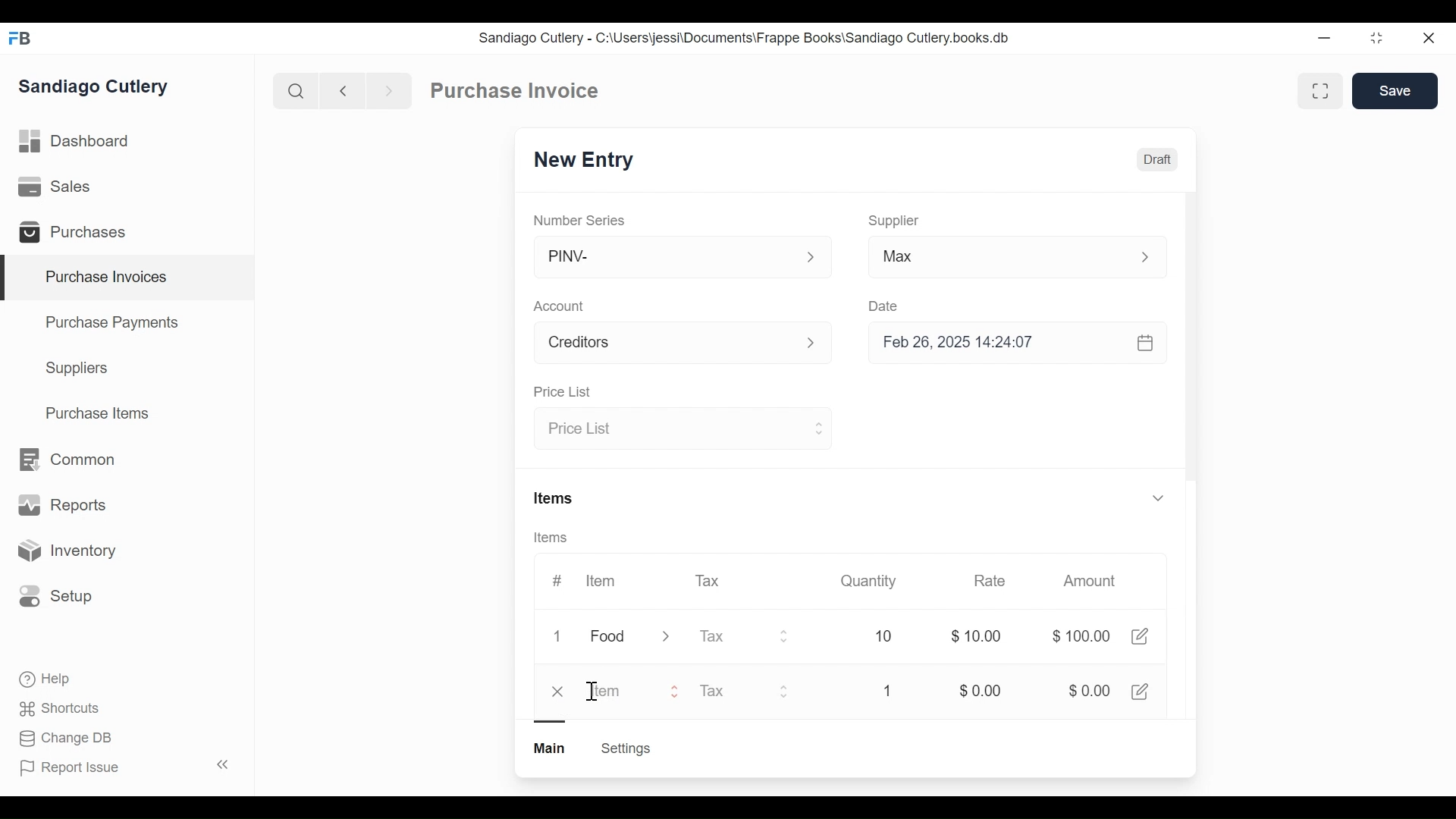  What do you see at coordinates (625, 748) in the screenshot?
I see `Settings` at bounding box center [625, 748].